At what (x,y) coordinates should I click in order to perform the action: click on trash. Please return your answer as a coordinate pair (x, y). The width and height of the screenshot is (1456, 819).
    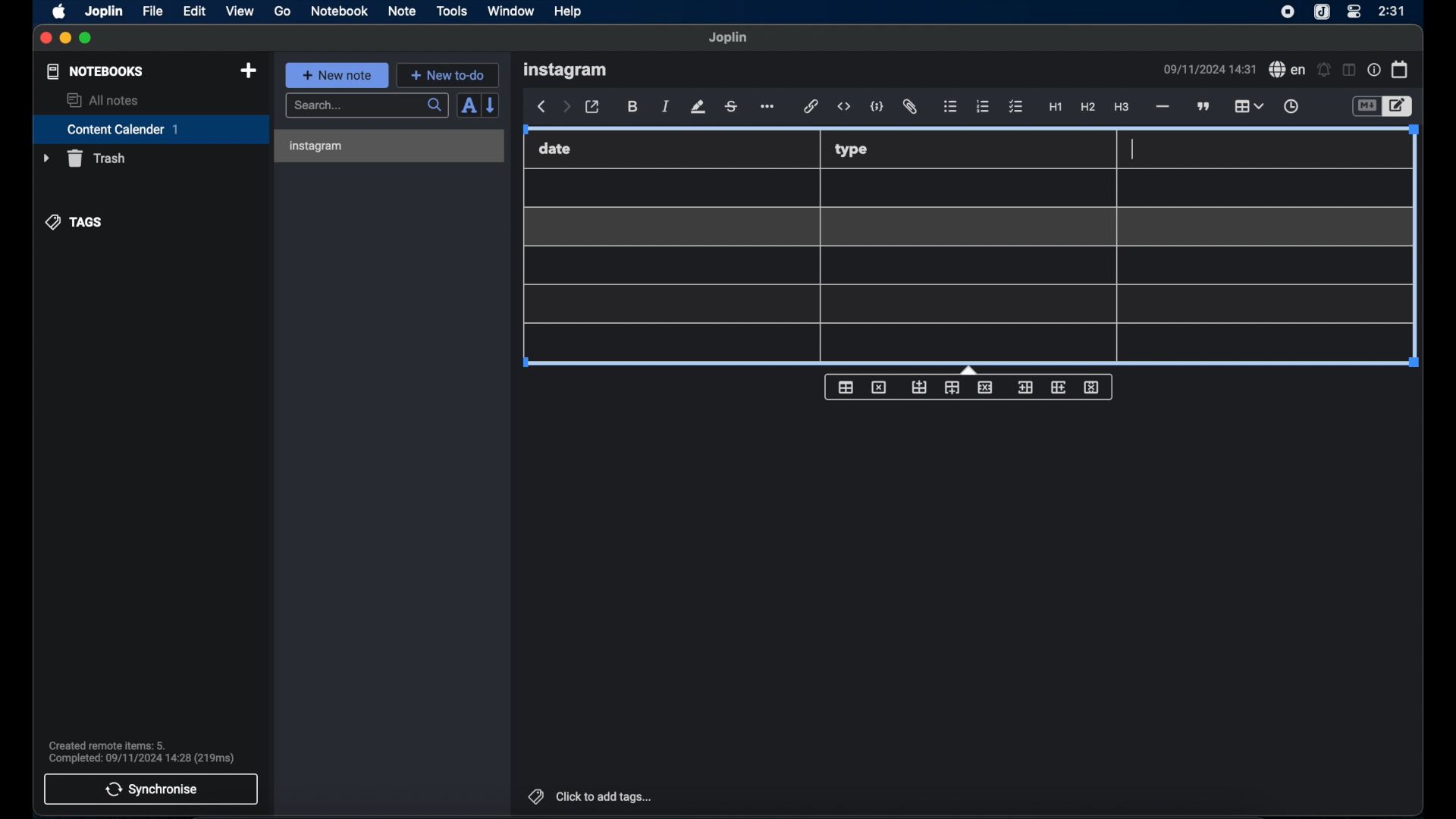
    Looking at the image, I should click on (84, 158).